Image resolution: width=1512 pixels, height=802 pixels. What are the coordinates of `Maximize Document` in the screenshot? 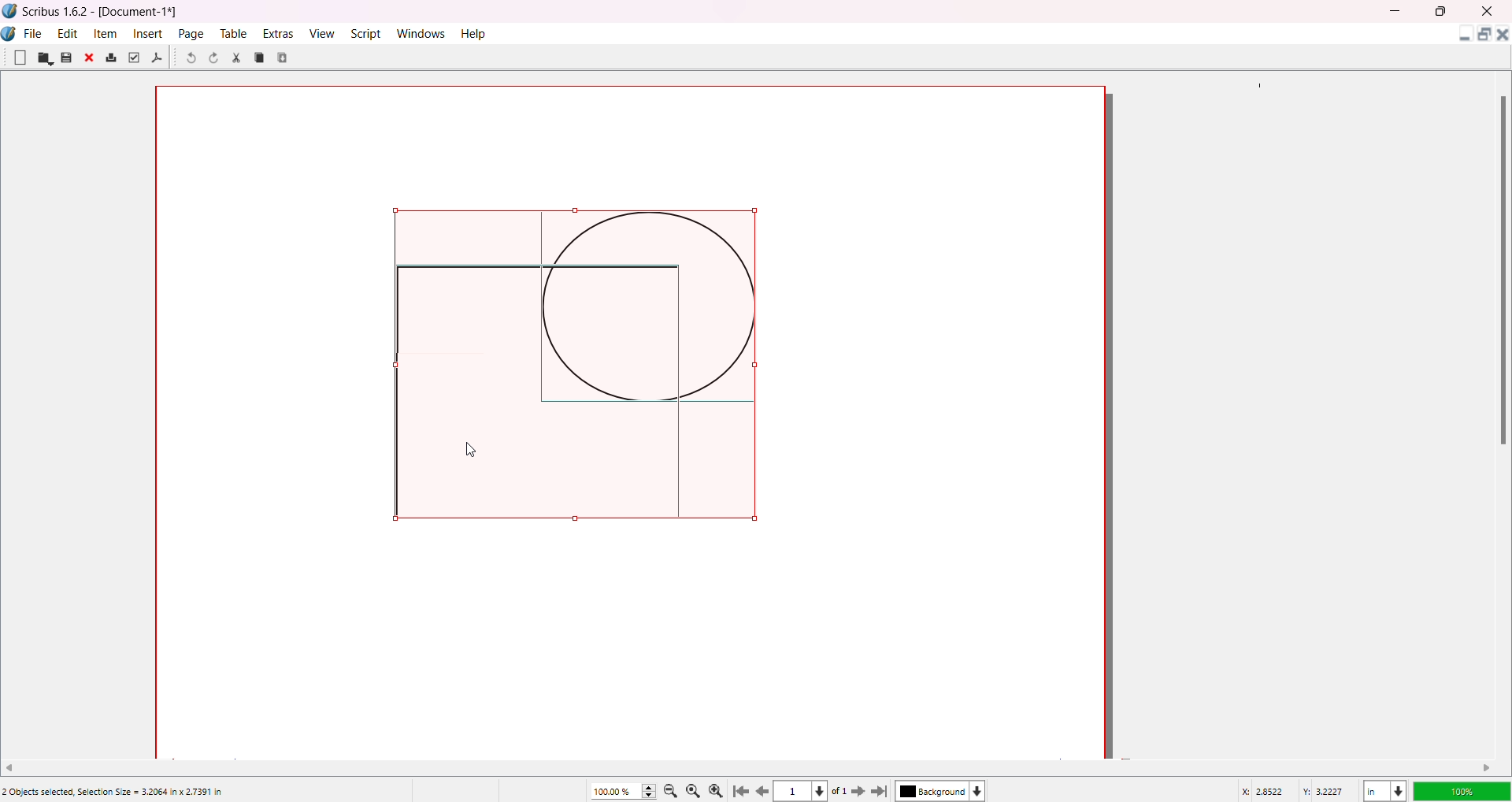 It's located at (1483, 37).